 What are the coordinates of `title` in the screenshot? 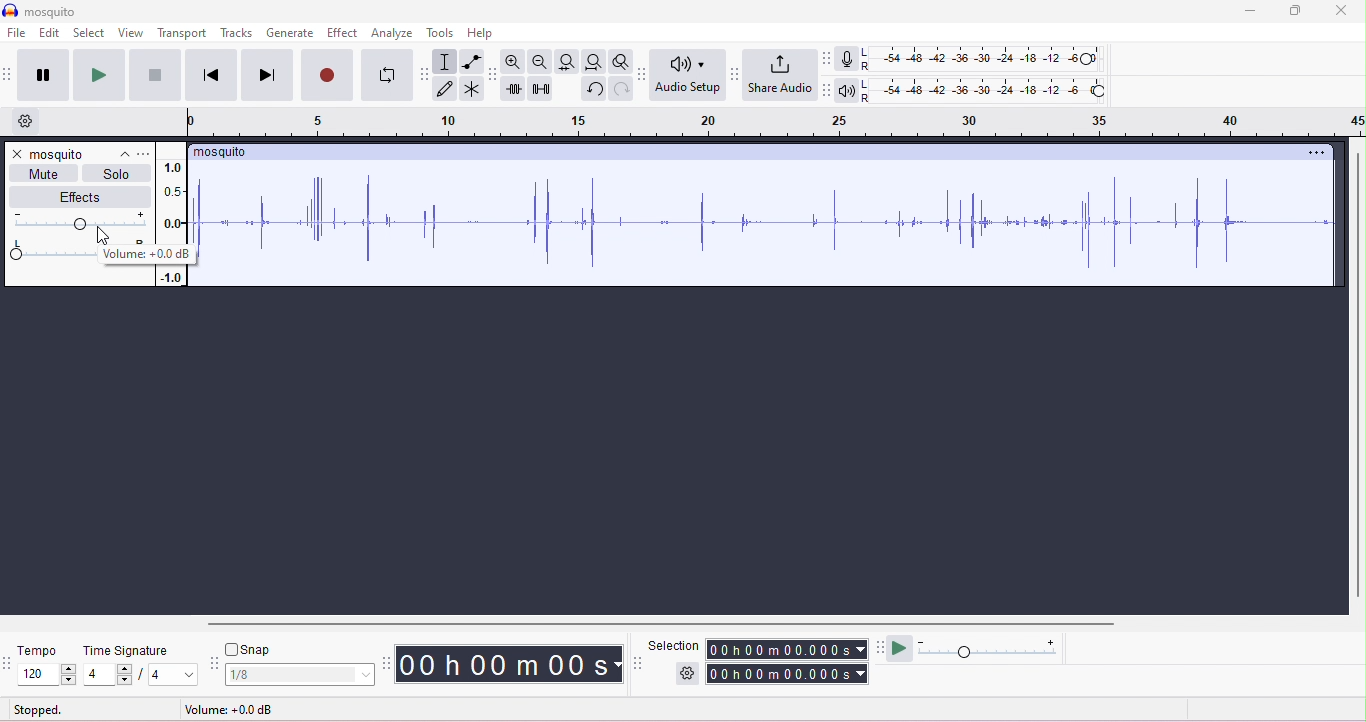 It's located at (43, 10).